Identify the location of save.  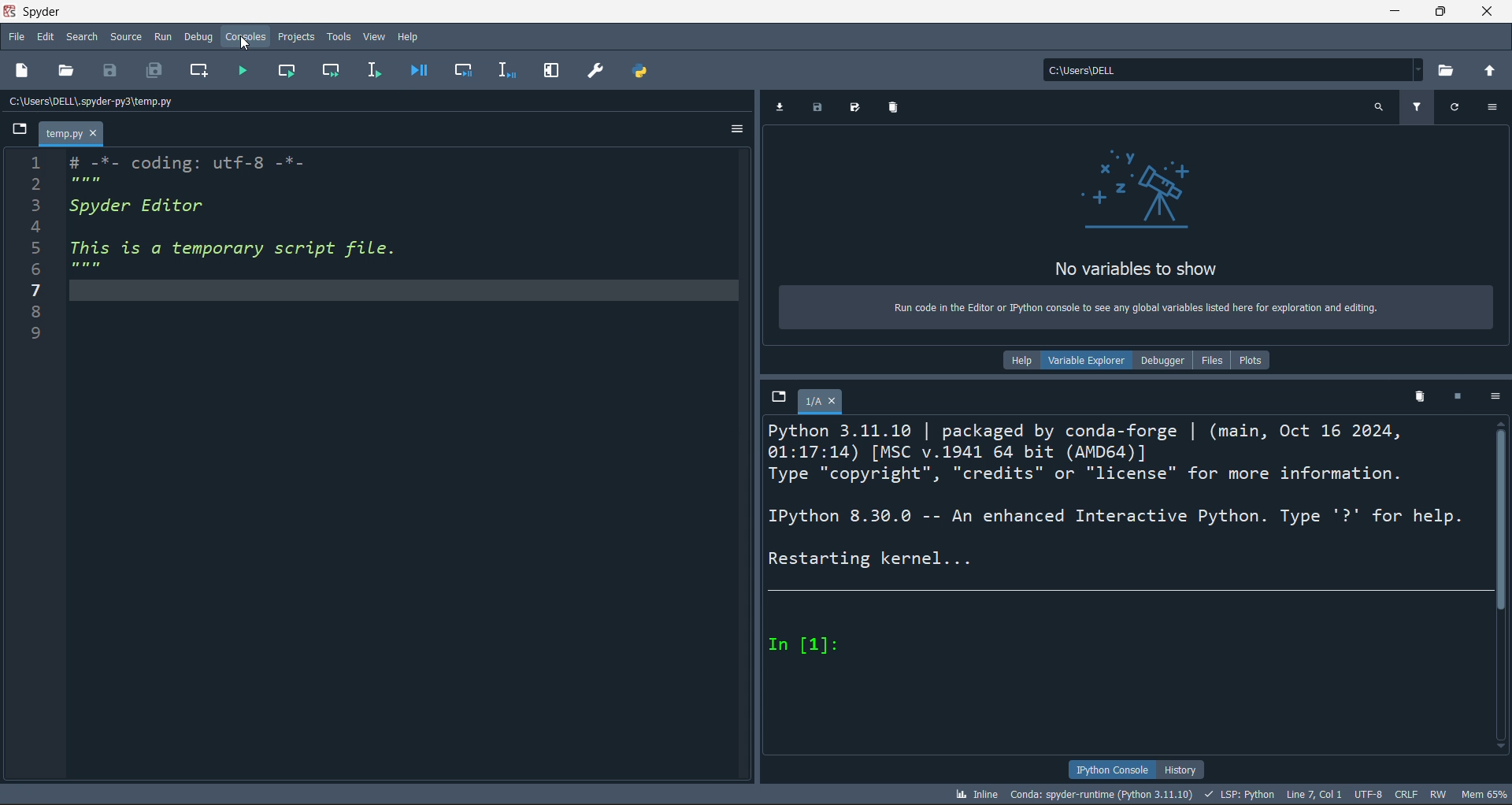
(112, 72).